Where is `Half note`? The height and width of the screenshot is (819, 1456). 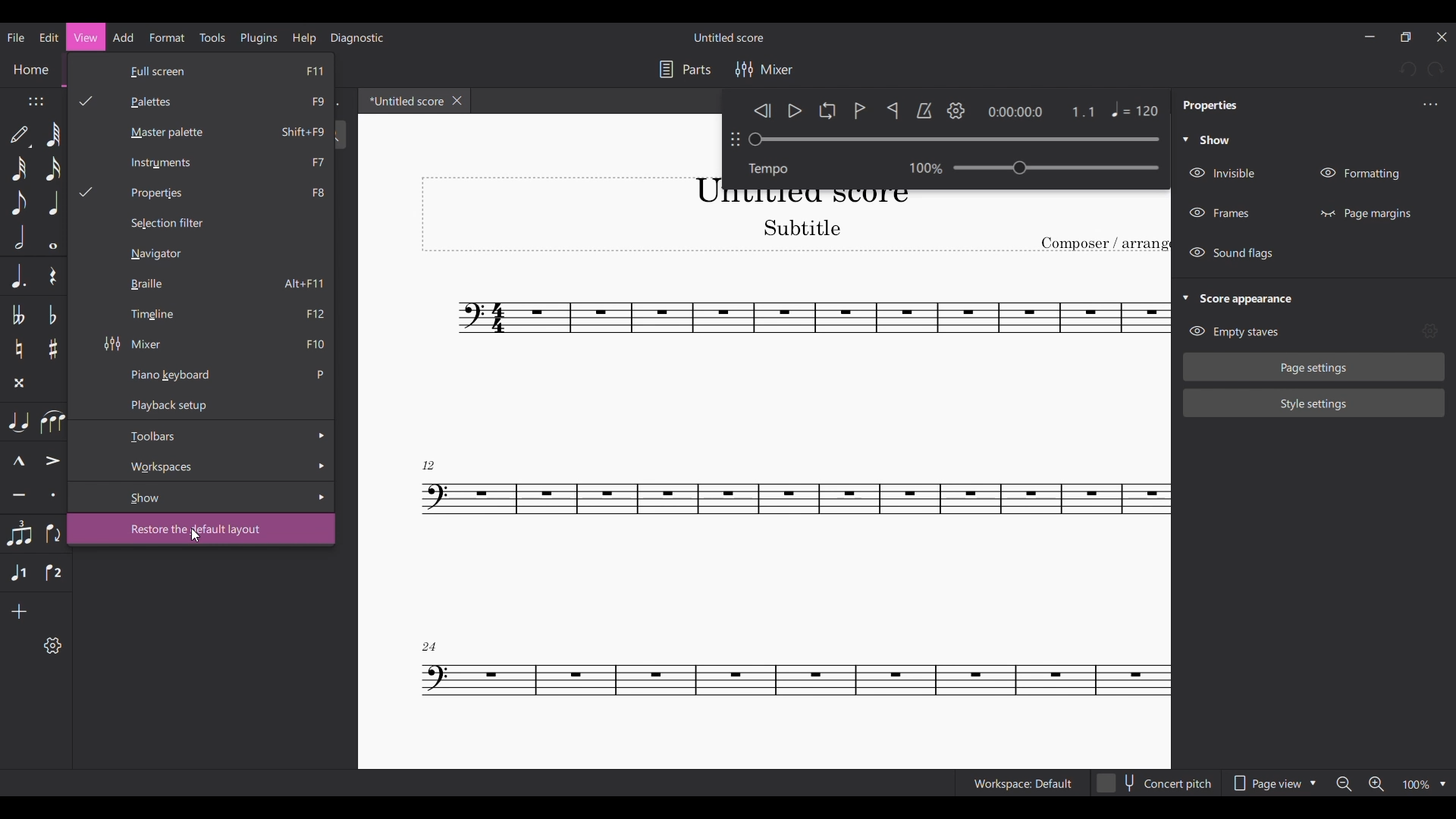 Half note is located at coordinates (18, 237).